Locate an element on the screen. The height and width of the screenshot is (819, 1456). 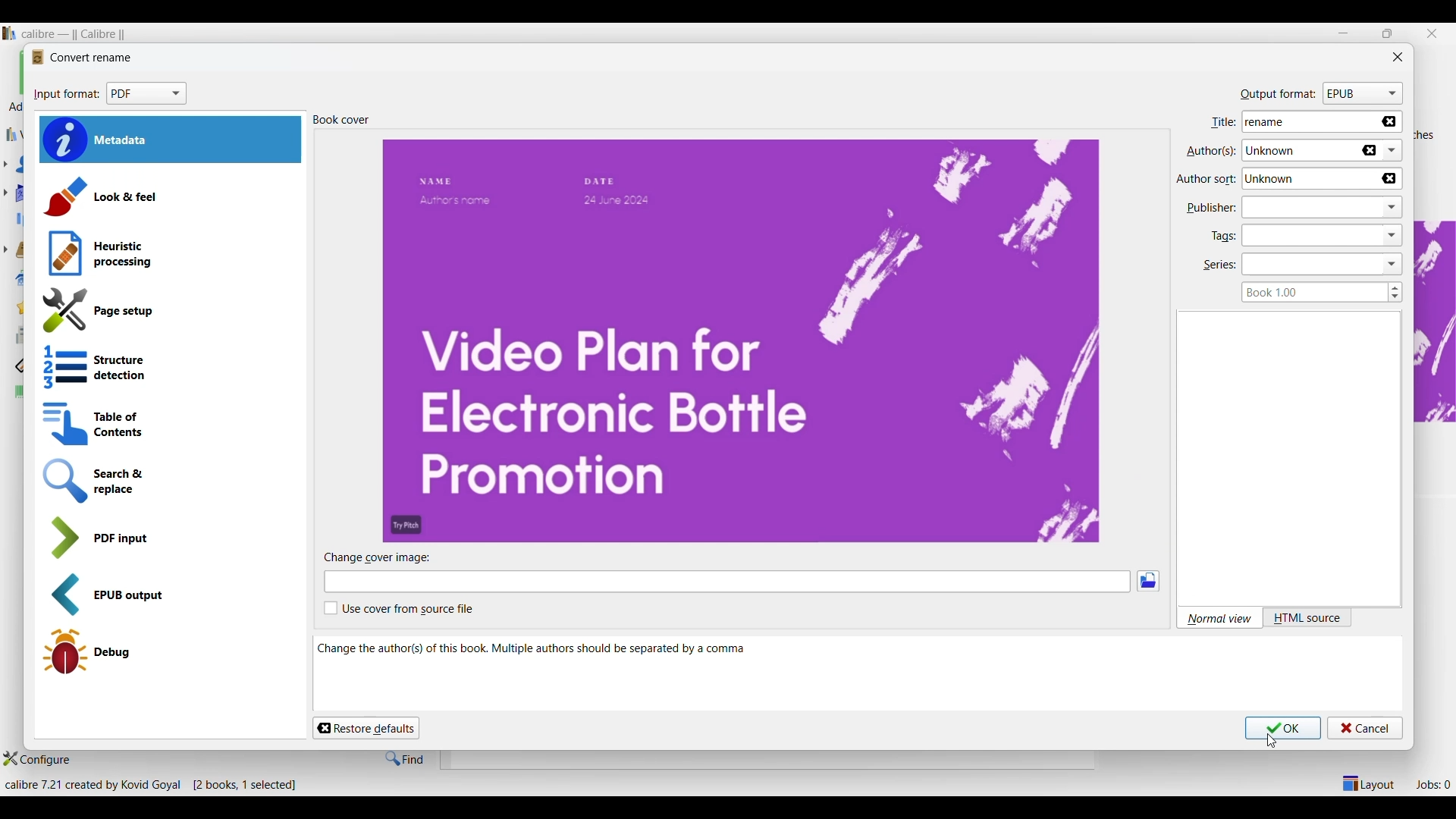
restore is located at coordinates (1387, 33).